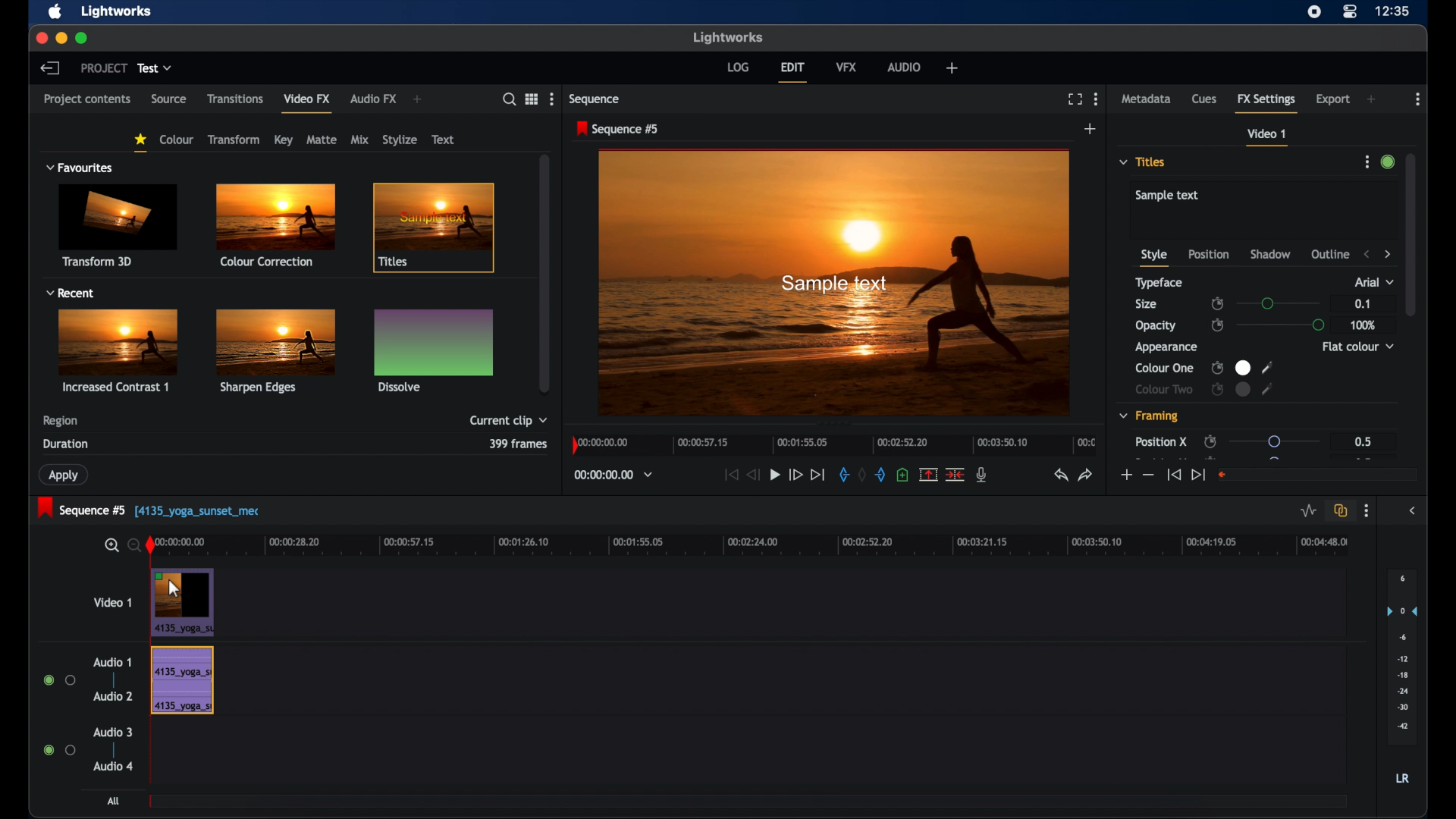 The height and width of the screenshot is (819, 1456). Describe the element at coordinates (1091, 130) in the screenshot. I see `add` at that location.